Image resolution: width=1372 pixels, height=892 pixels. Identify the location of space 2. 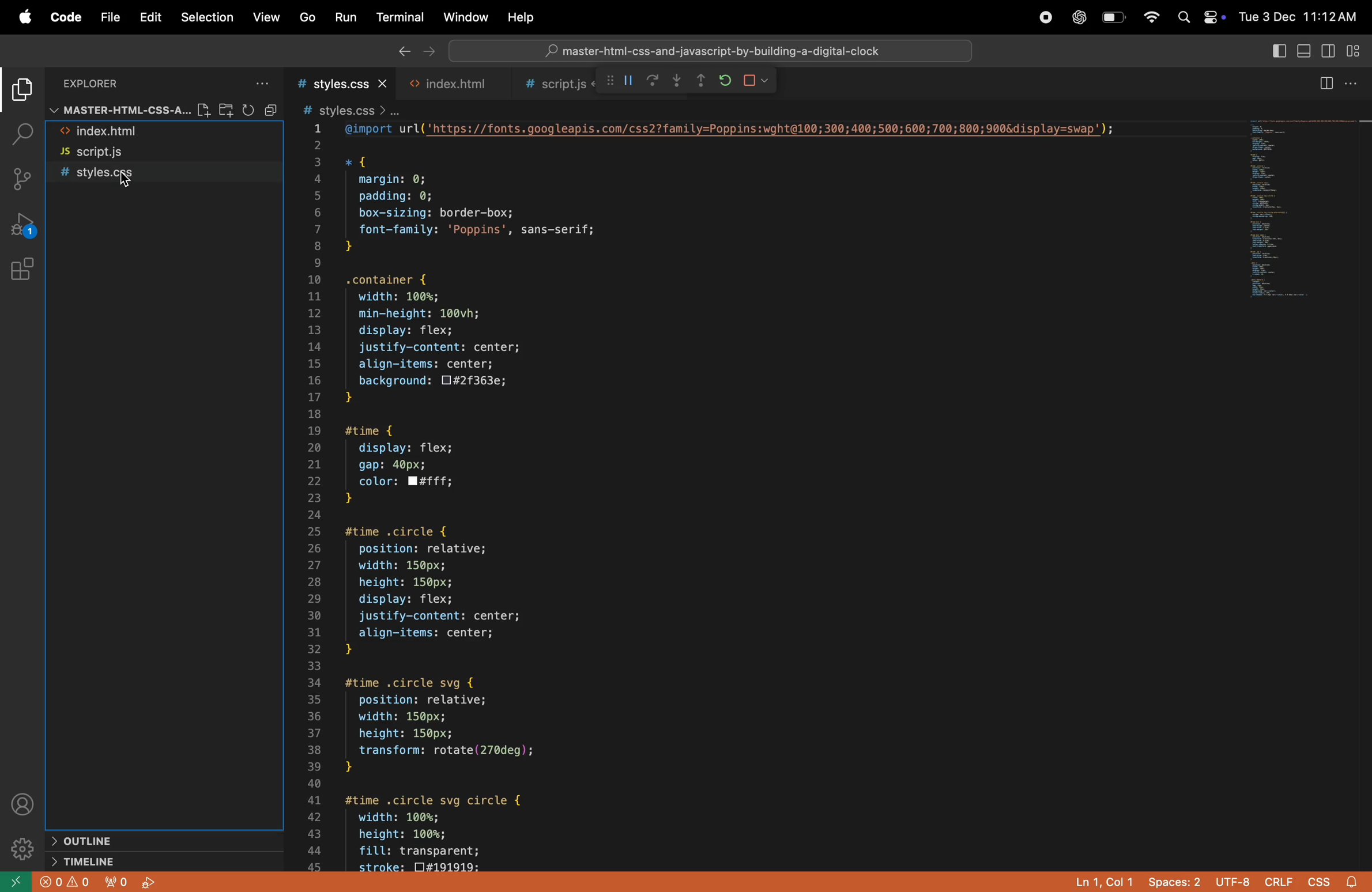
(1178, 884).